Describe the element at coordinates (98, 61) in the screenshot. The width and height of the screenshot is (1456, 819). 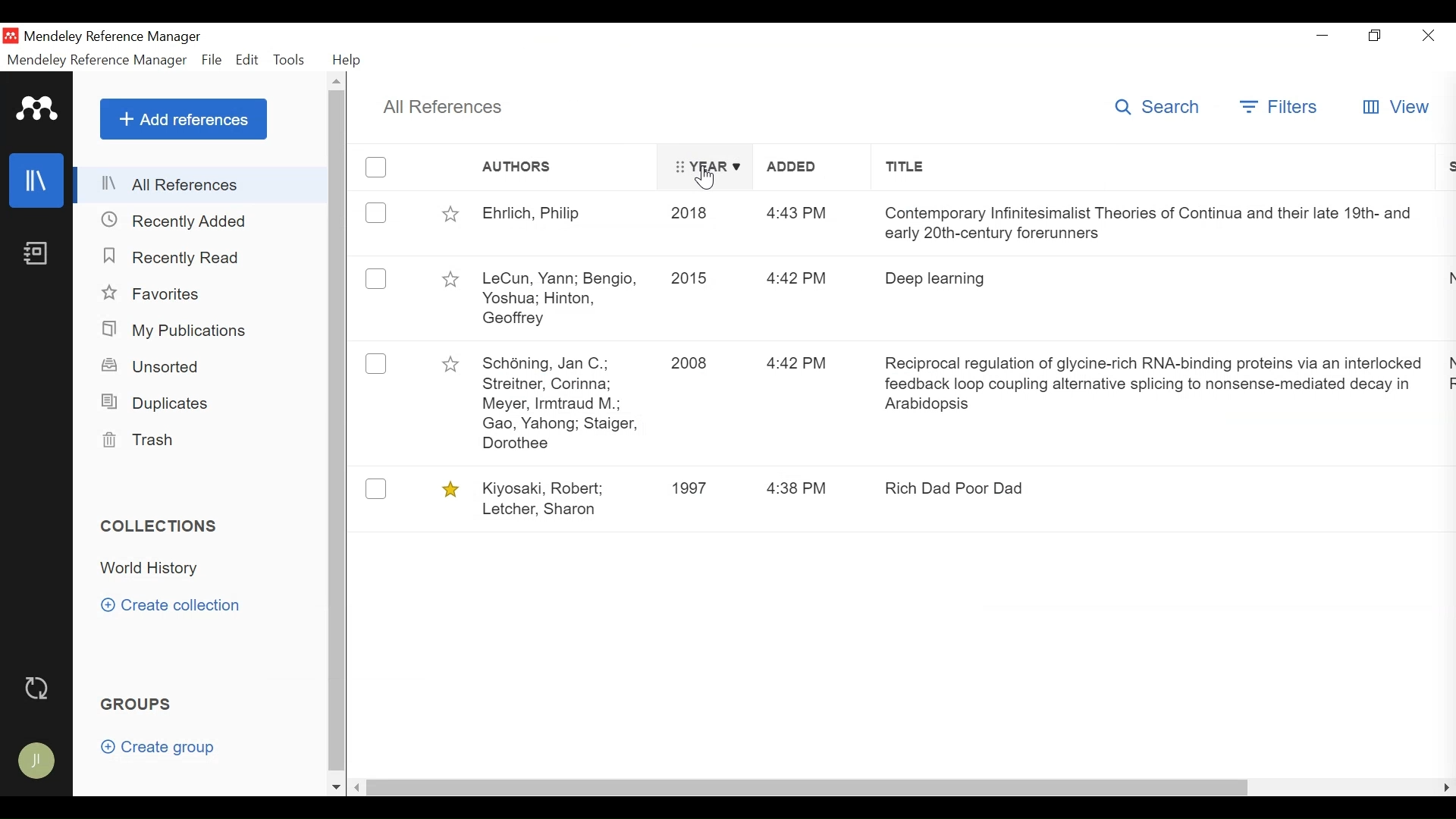
I see `Mendeley Reference Manager` at that location.